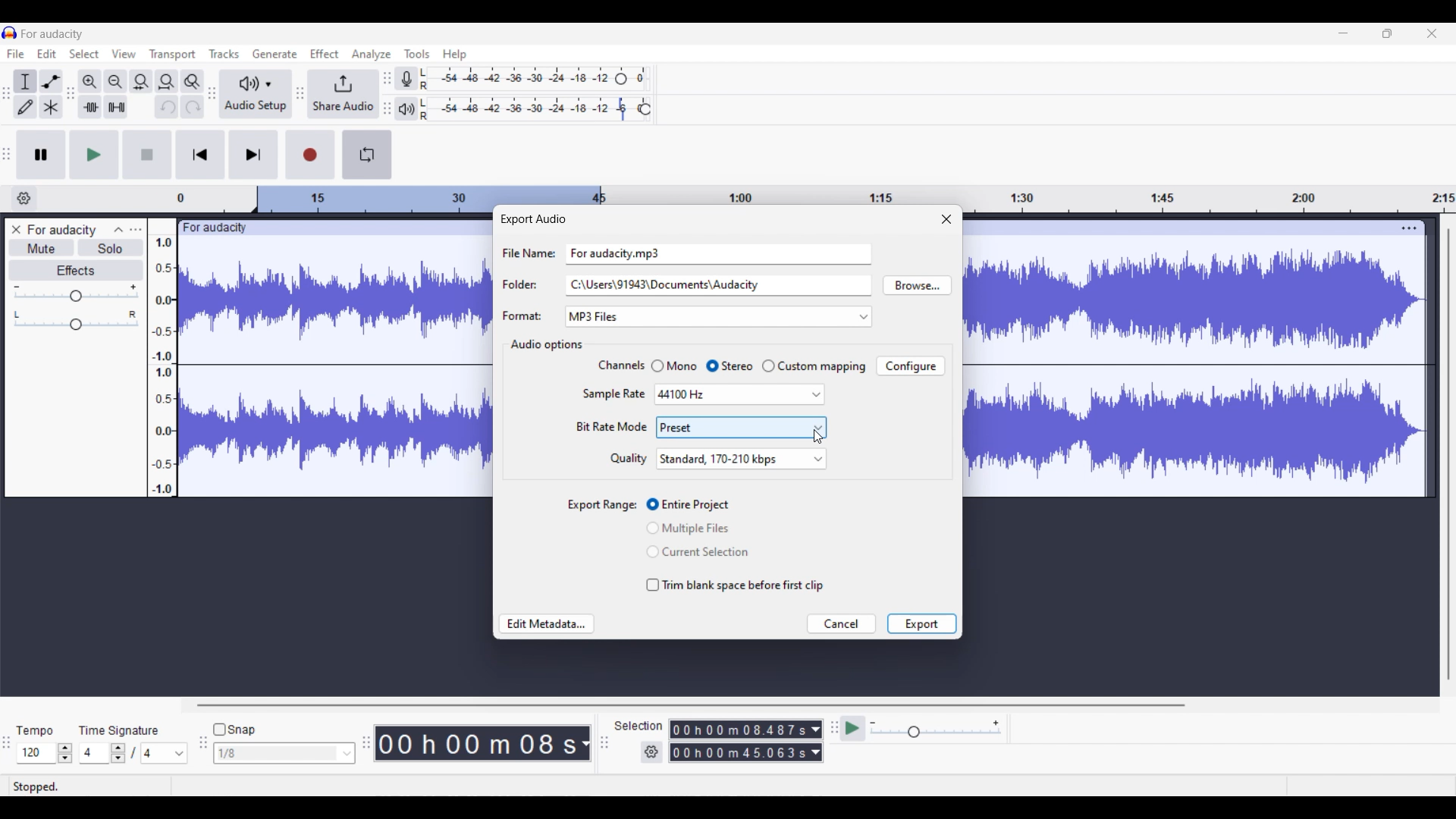 The image size is (1456, 819). Describe the element at coordinates (168, 82) in the screenshot. I see `Fit project to width` at that location.